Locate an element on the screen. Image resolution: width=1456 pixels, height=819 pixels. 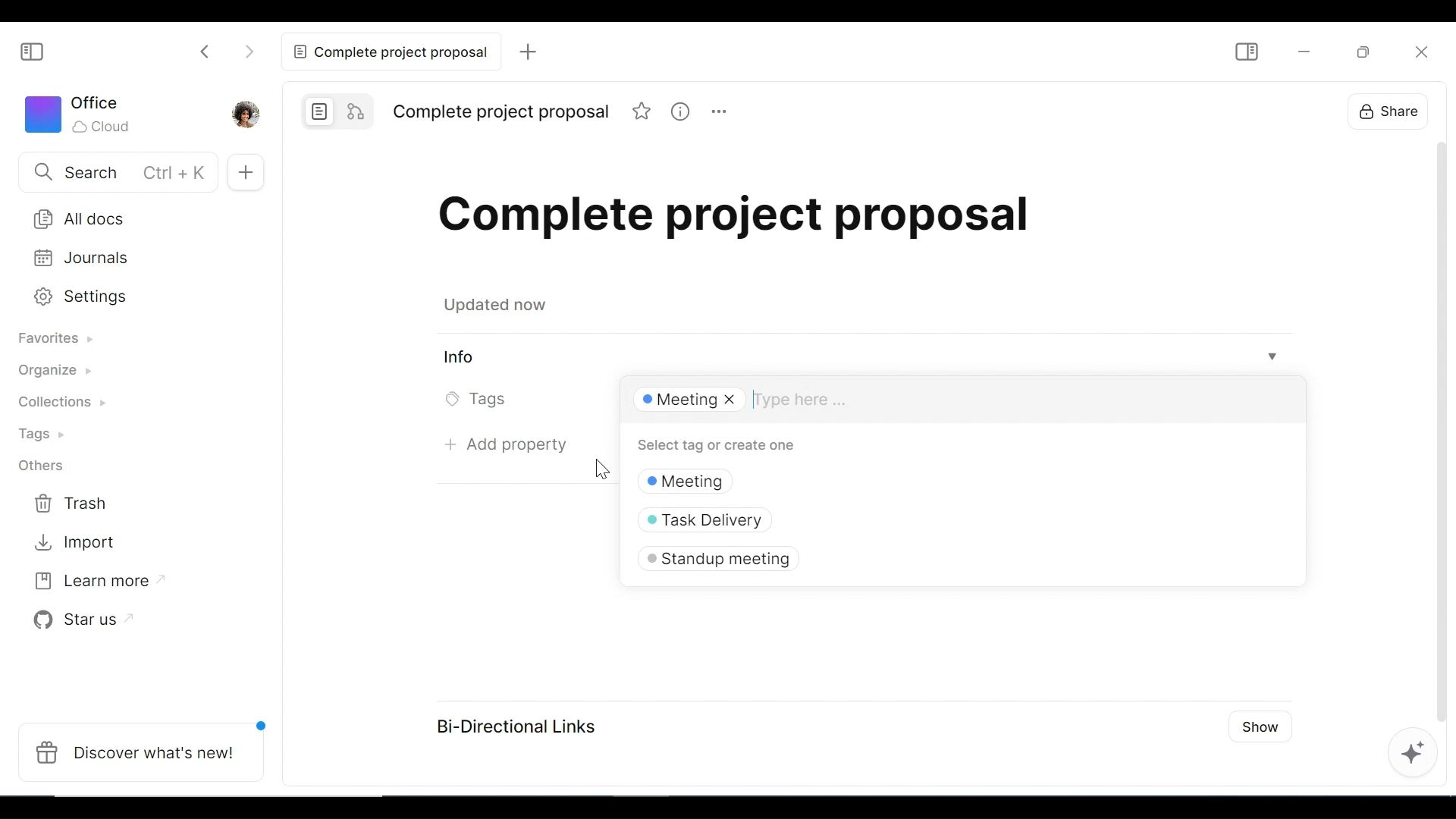
Click to go forward is located at coordinates (252, 52).